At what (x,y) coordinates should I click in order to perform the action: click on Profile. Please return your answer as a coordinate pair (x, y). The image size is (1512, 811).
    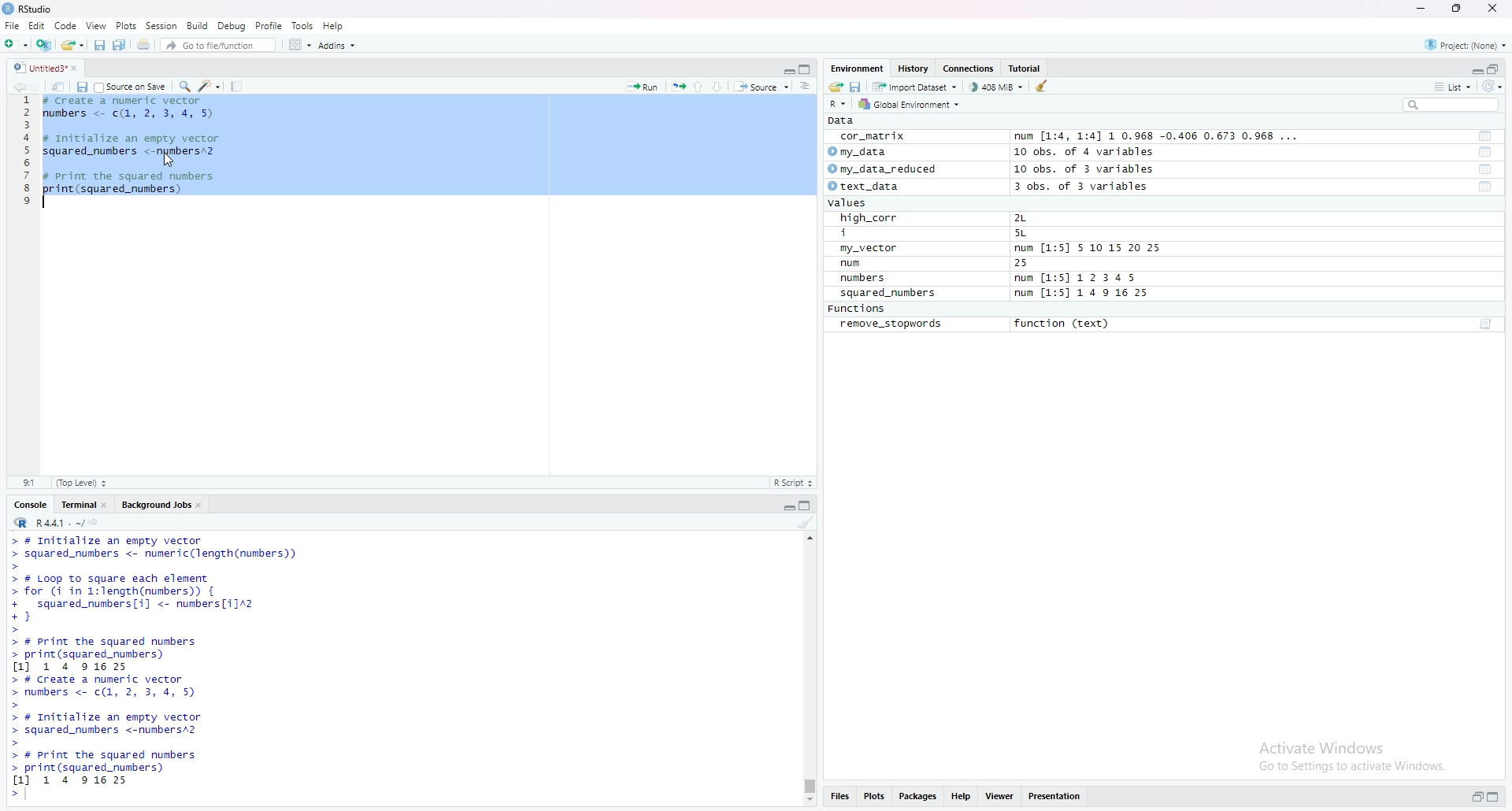
    Looking at the image, I should click on (269, 25).